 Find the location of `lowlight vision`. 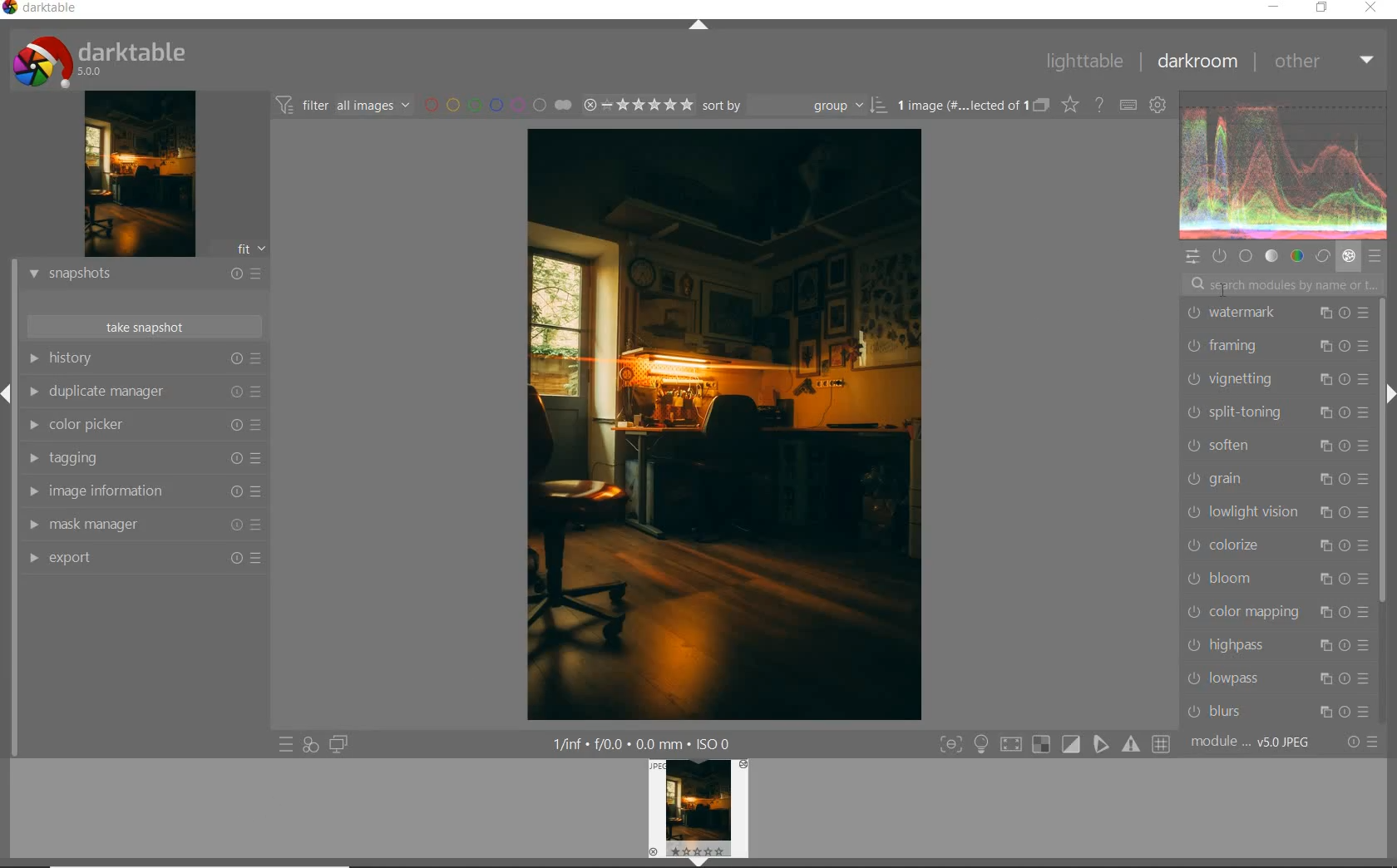

lowlight vision is located at coordinates (1277, 511).